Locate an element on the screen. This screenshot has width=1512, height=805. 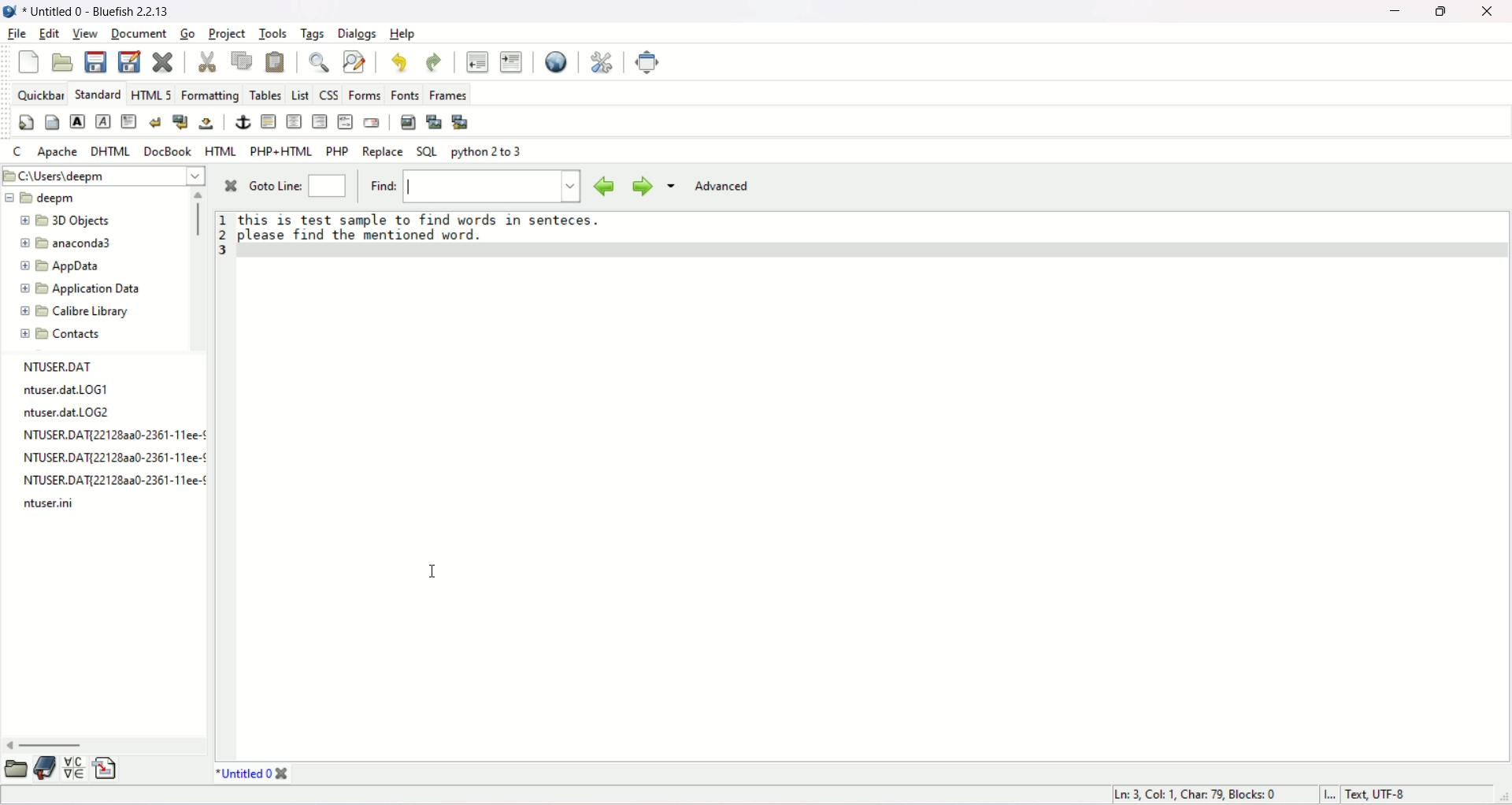
find is located at coordinates (473, 185).